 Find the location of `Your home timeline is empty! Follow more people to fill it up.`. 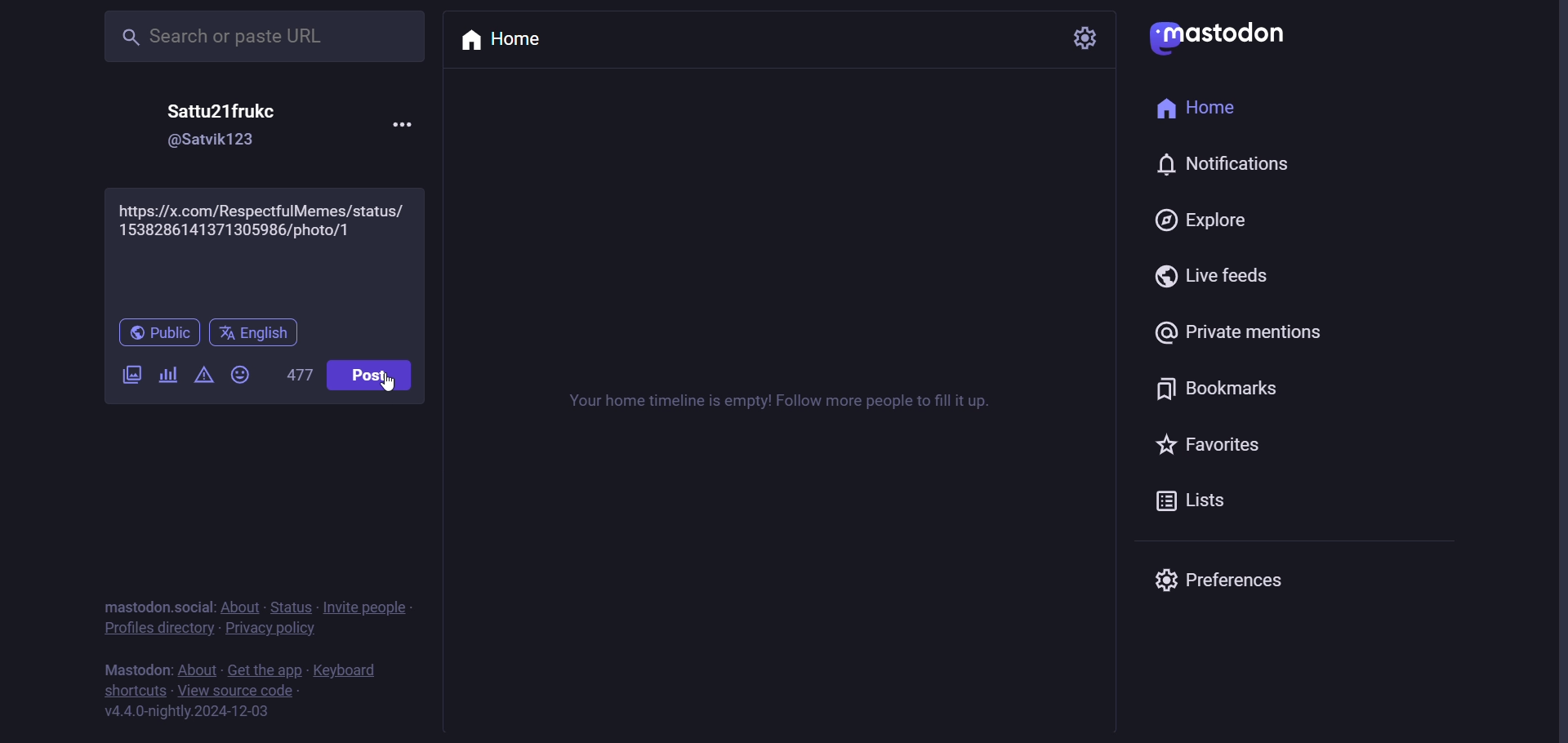

Your home timeline is empty! Follow more people to fill it up. is located at coordinates (795, 401).